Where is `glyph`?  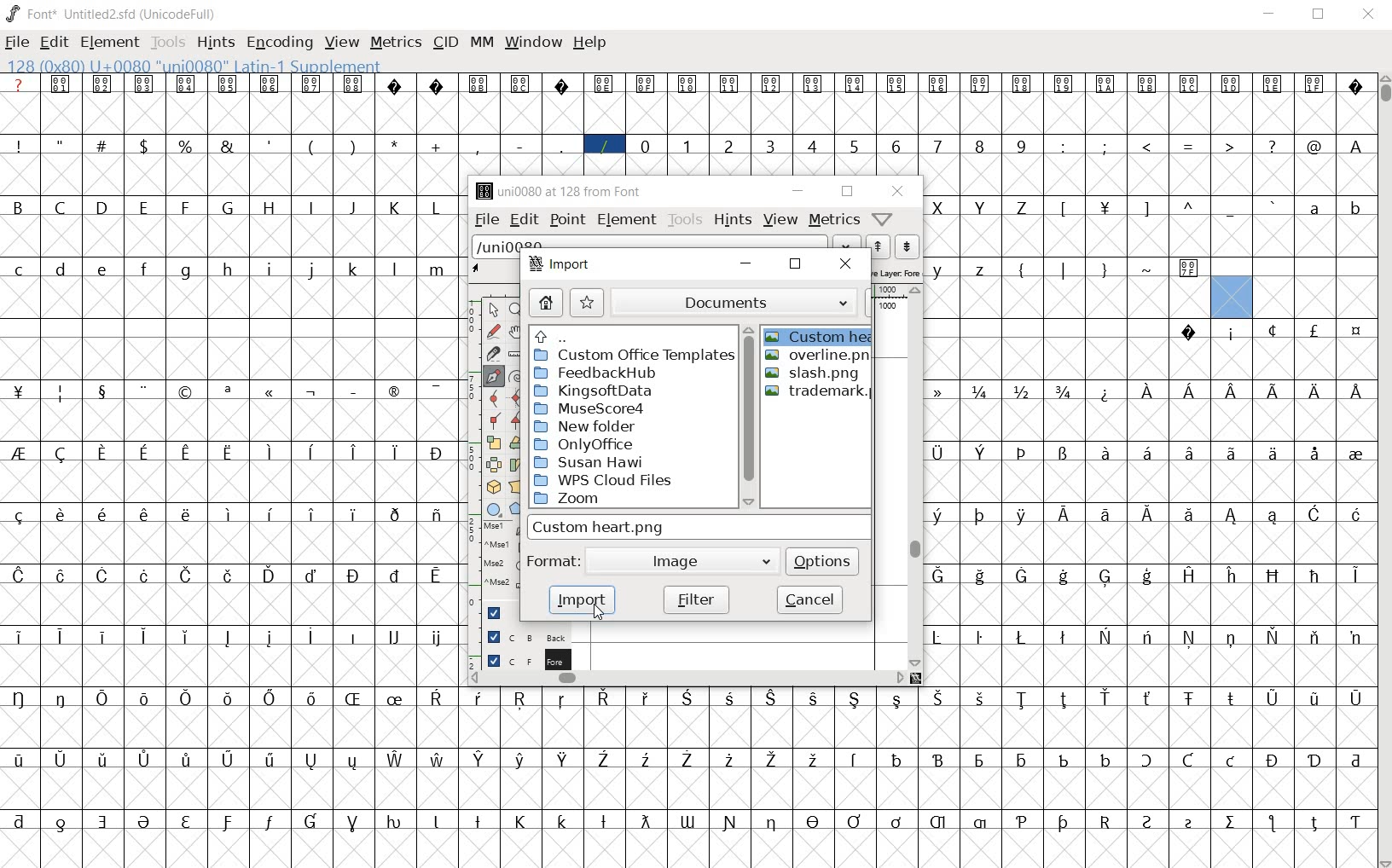 glyph is located at coordinates (687, 759).